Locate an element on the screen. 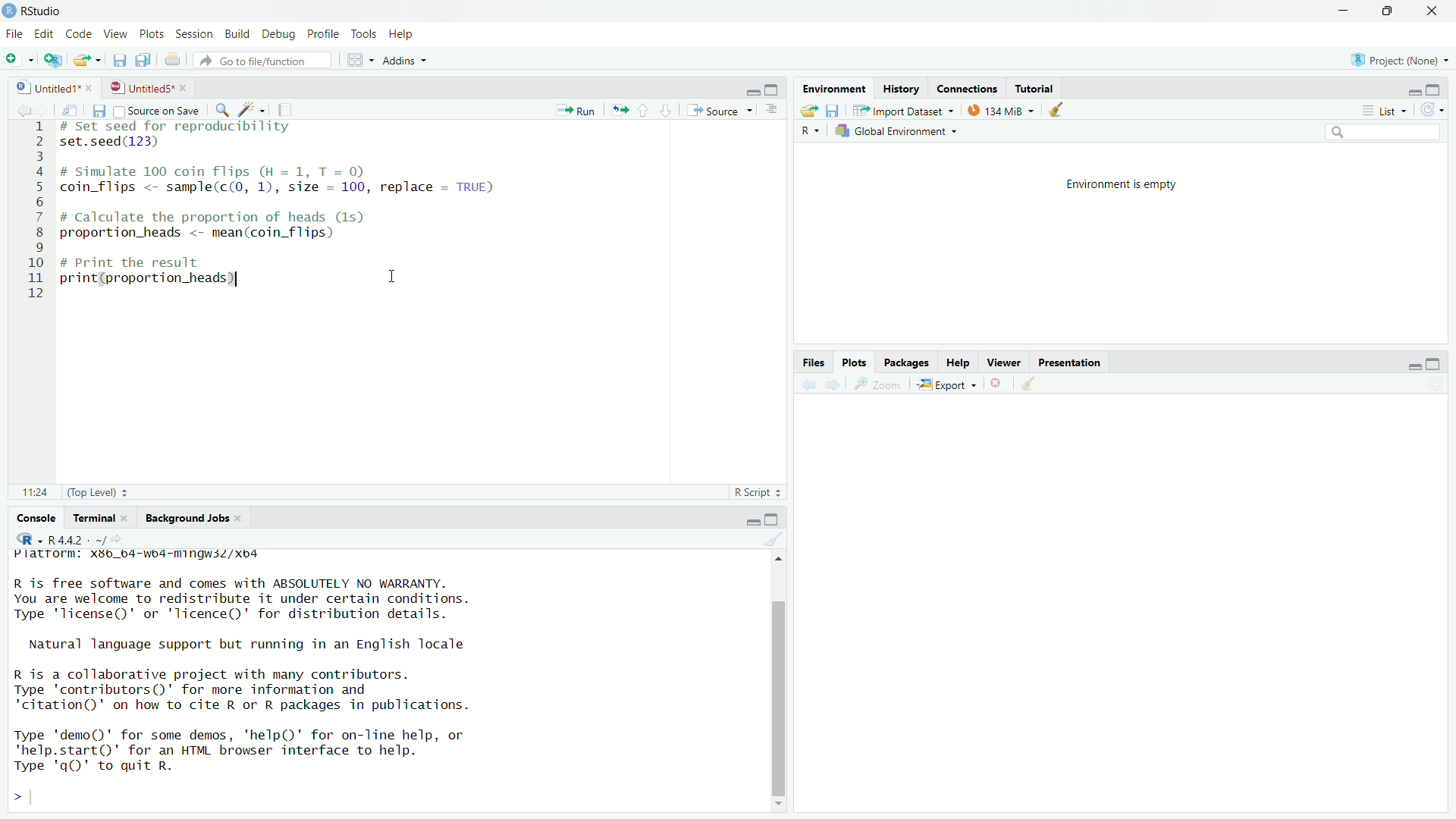  save workspace as is located at coordinates (835, 111).